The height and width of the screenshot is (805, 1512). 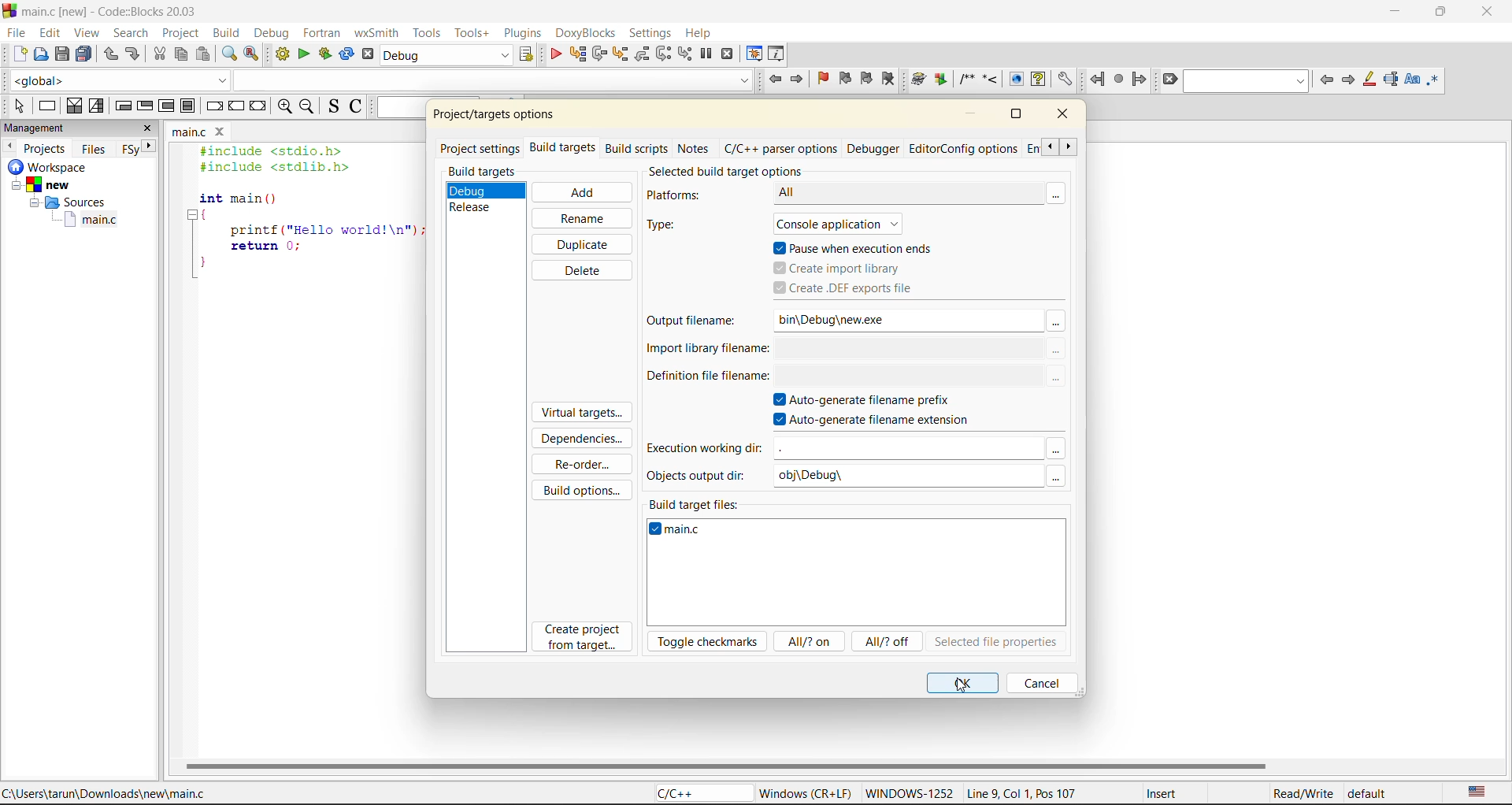 What do you see at coordinates (216, 108) in the screenshot?
I see `break instruction` at bounding box center [216, 108].